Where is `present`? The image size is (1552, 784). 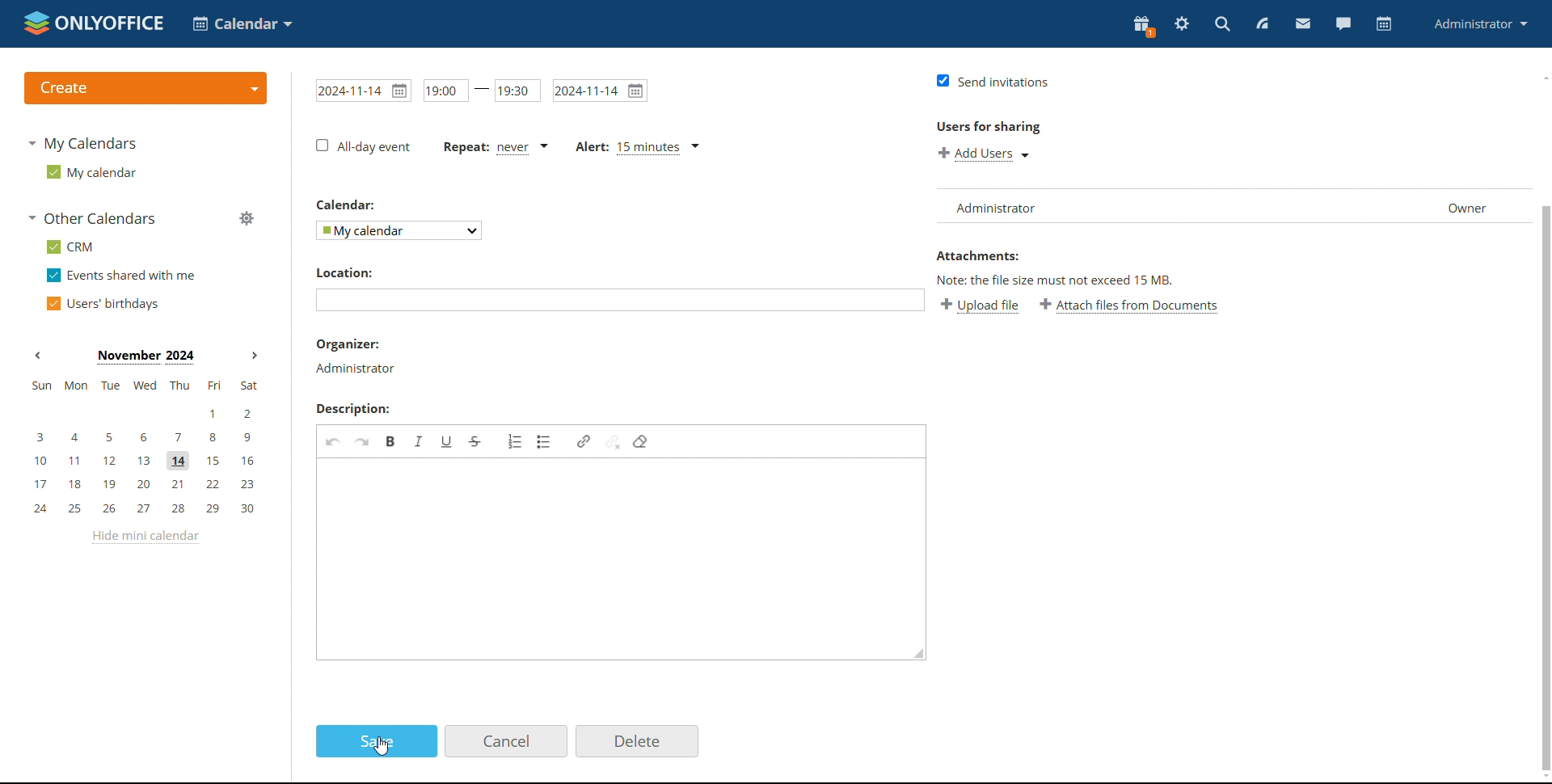 present is located at coordinates (1141, 27).